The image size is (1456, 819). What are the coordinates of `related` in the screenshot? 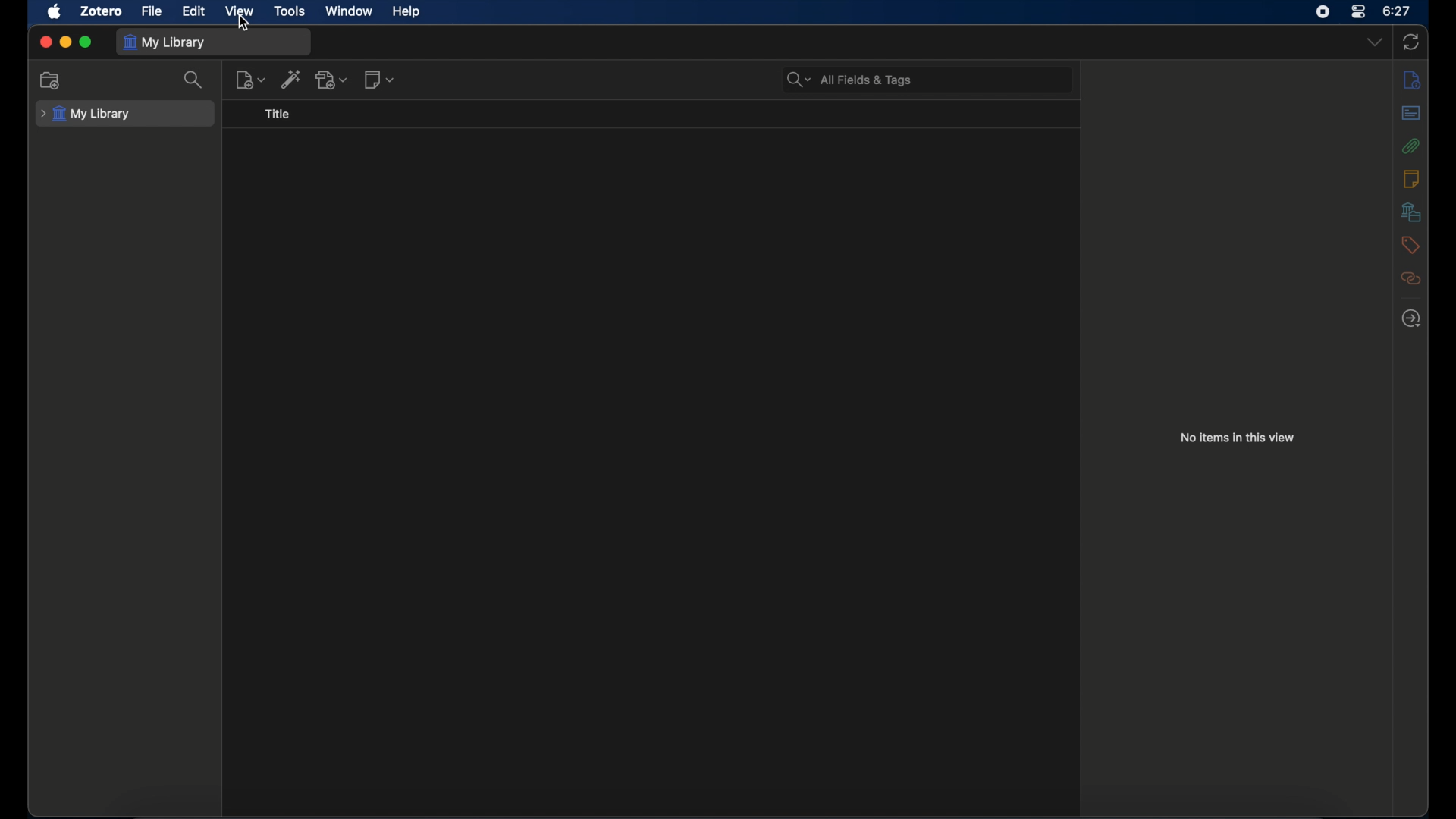 It's located at (1410, 278).